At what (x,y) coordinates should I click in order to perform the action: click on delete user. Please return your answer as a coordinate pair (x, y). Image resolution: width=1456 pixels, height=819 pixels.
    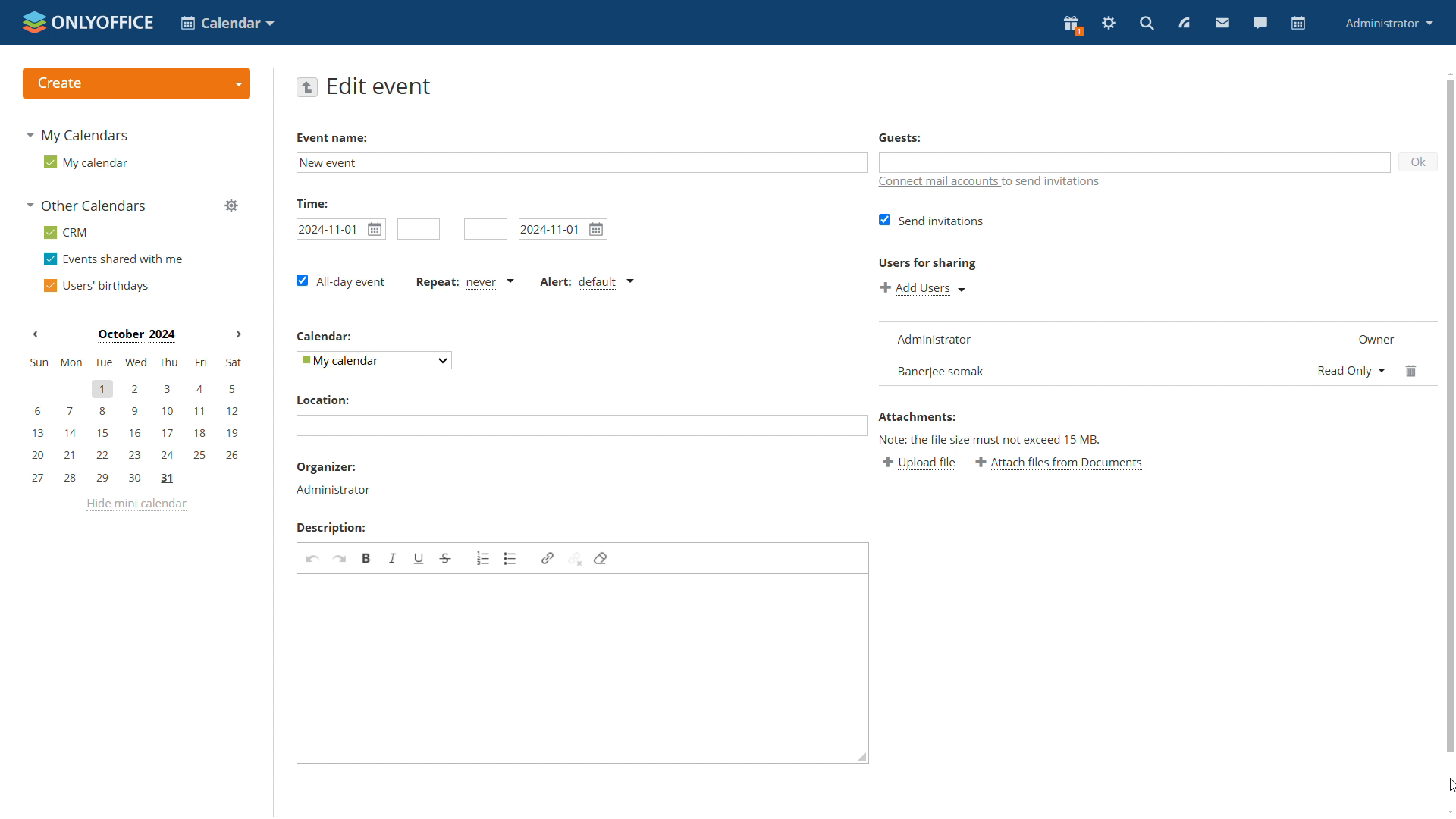
    Looking at the image, I should click on (1413, 370).